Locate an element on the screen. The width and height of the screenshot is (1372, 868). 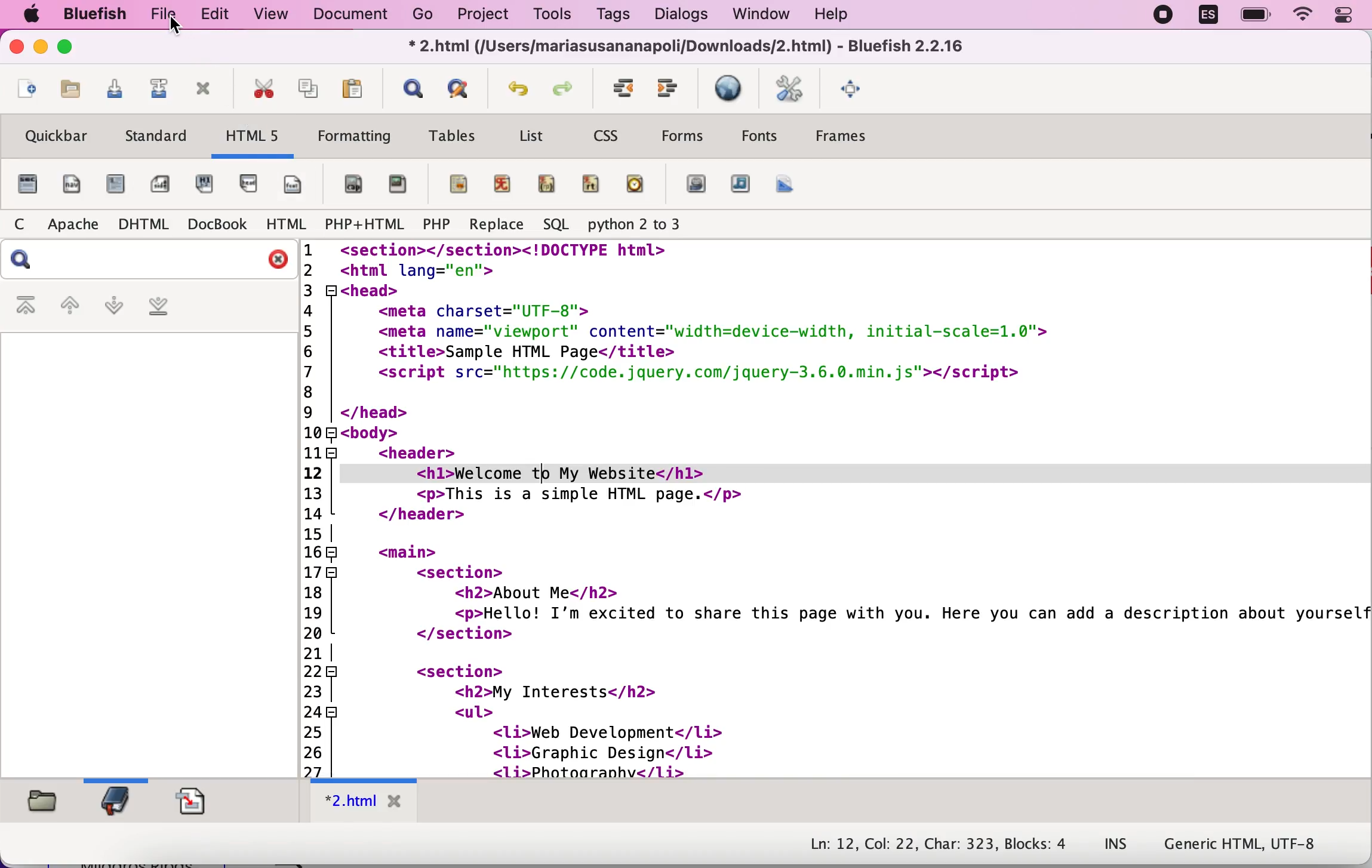
css is located at coordinates (606, 136).